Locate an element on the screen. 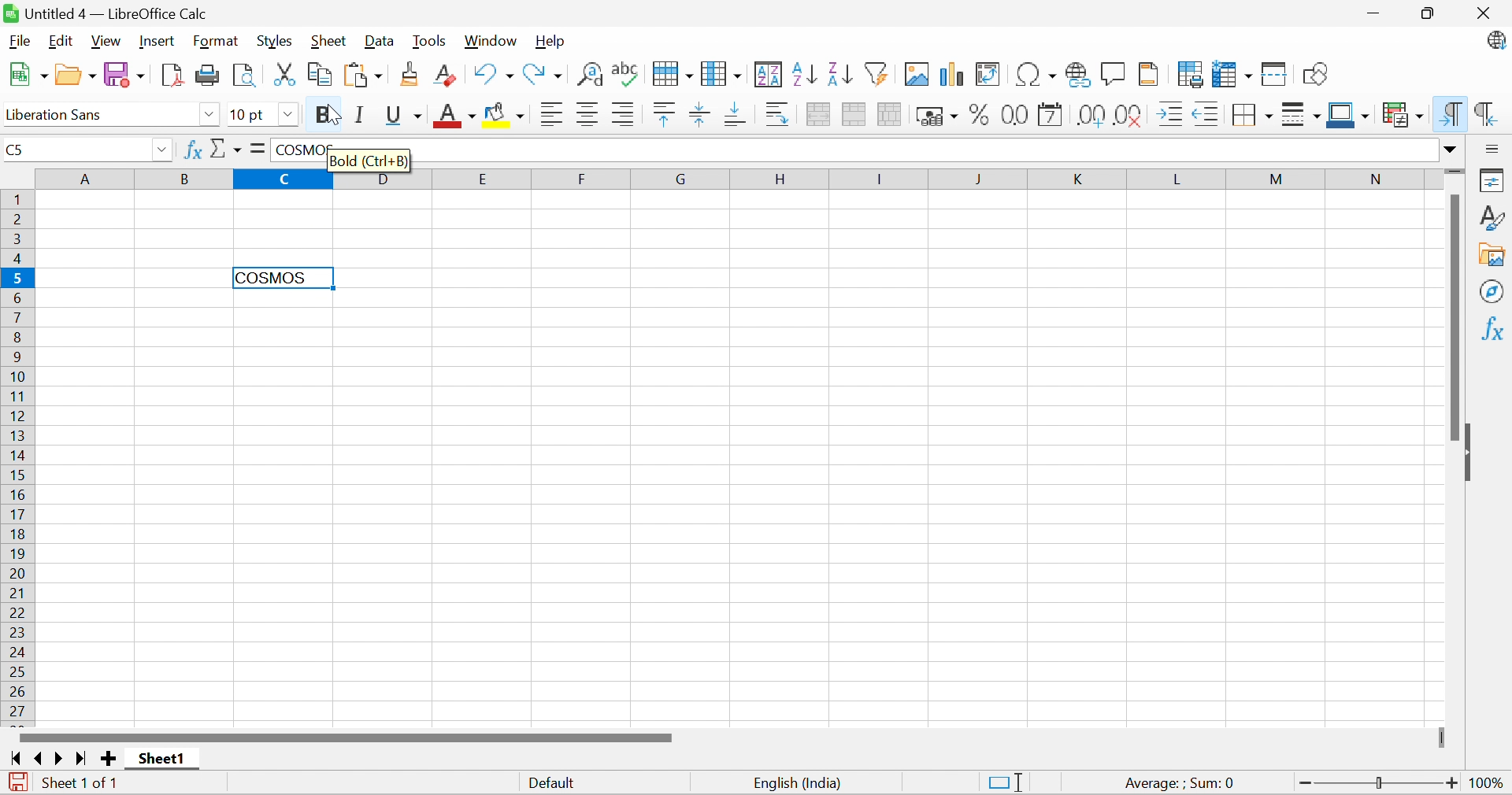 This screenshot has height=795, width=1512. Font Color is located at coordinates (454, 115).